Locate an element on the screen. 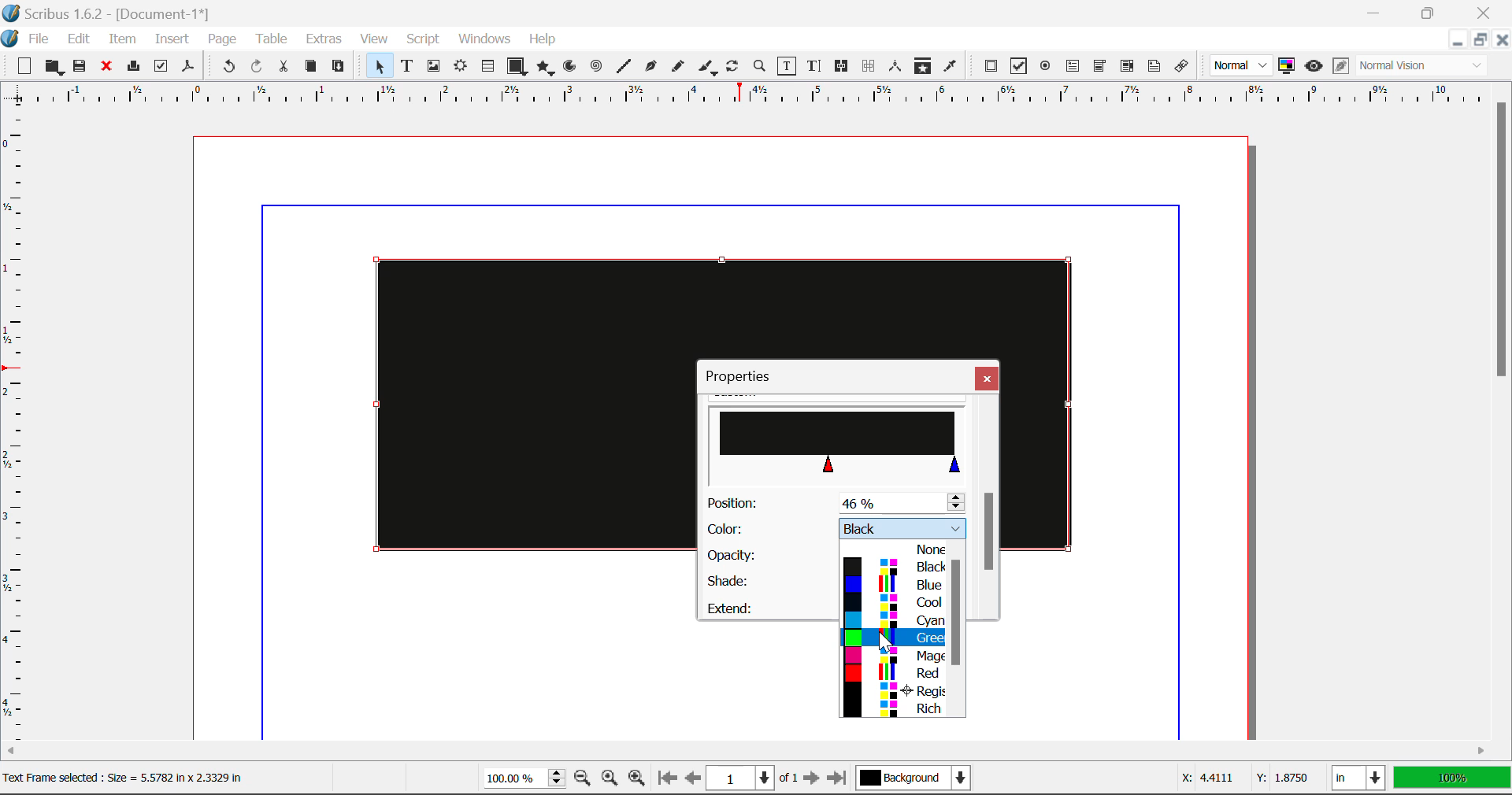 The height and width of the screenshot is (795, 1512). Open is located at coordinates (56, 68).